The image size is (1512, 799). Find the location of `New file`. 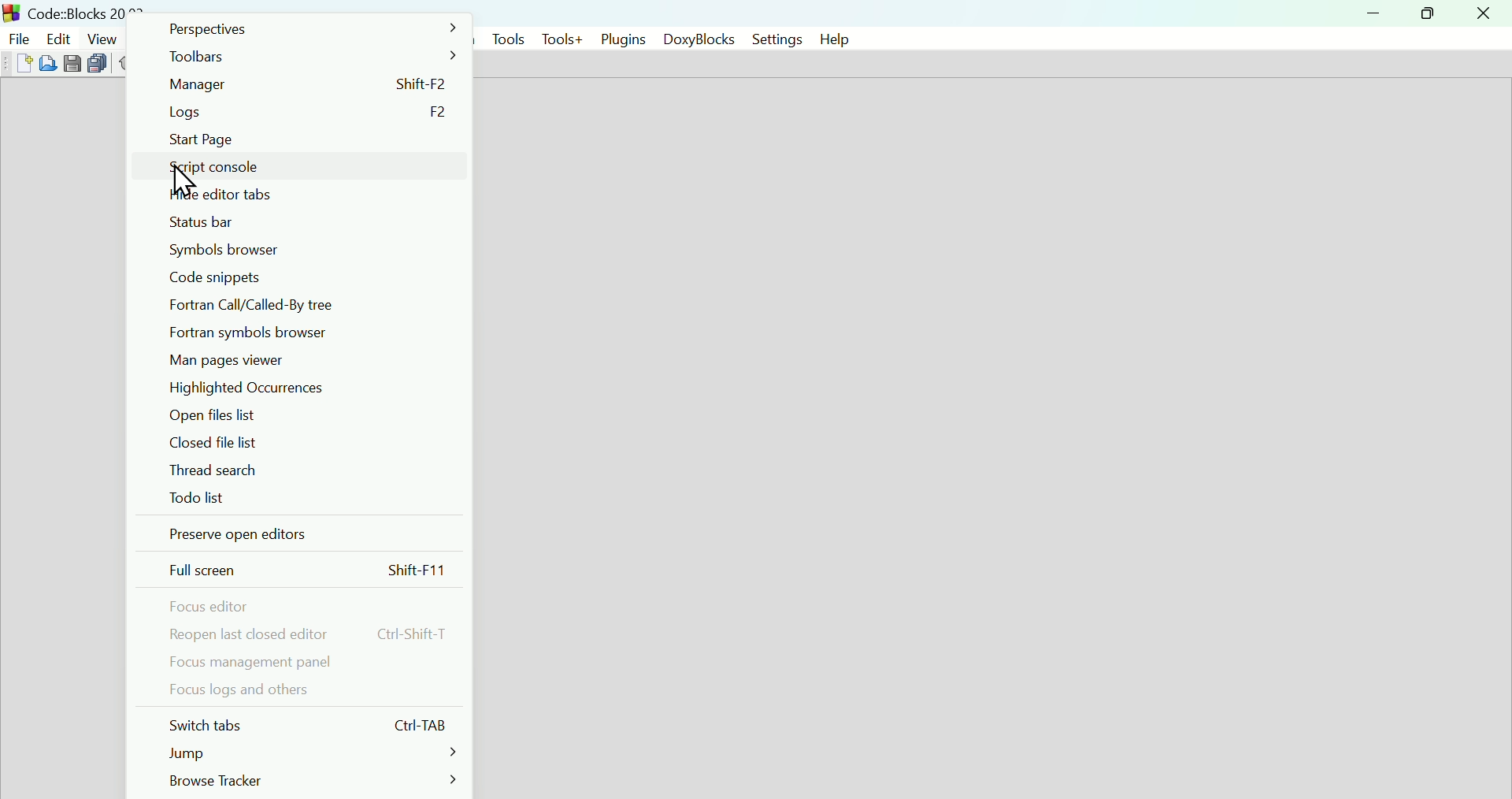

New file is located at coordinates (22, 63).